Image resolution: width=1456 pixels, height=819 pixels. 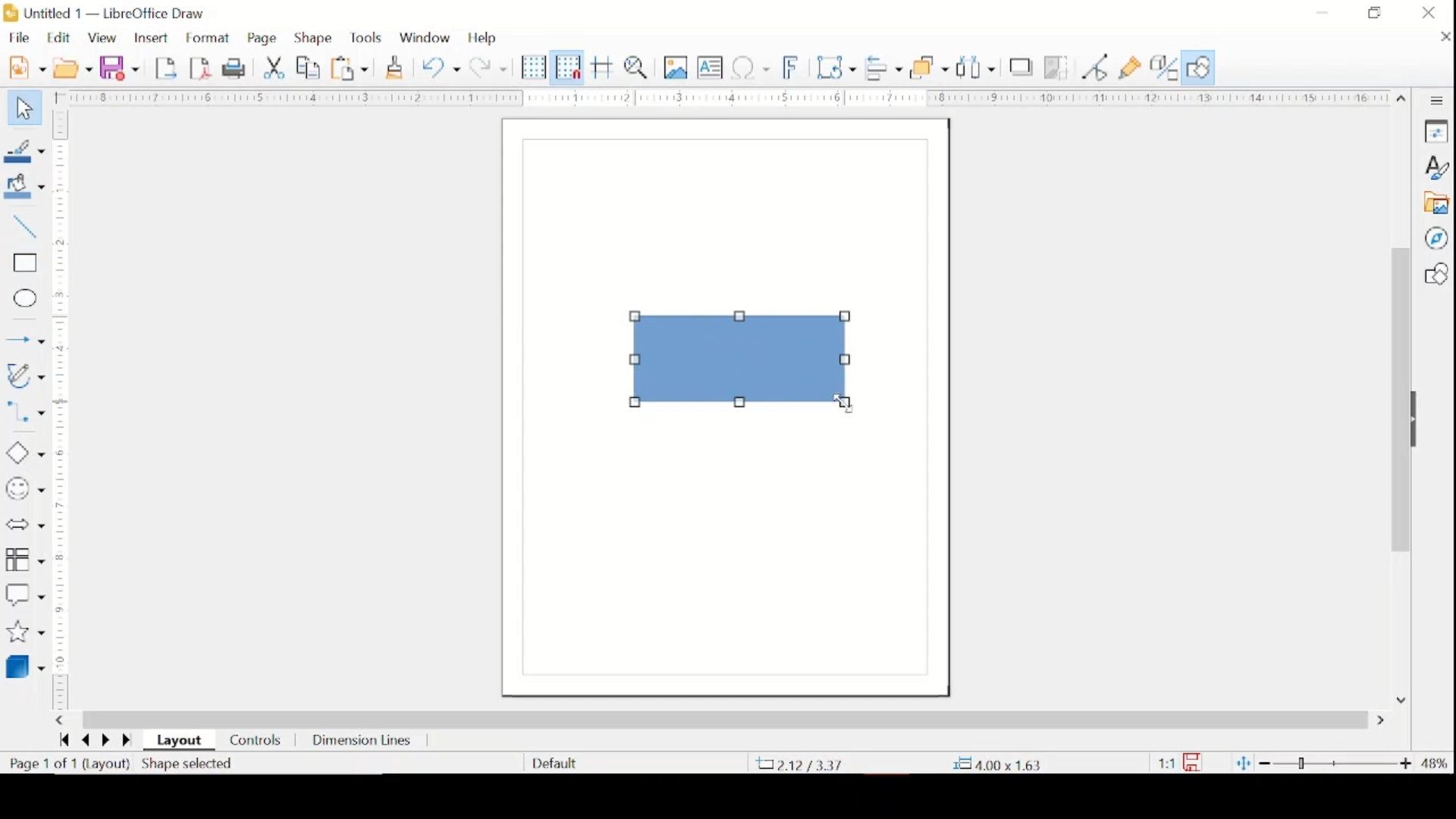 What do you see at coordinates (725, 719) in the screenshot?
I see `scroll box` at bounding box center [725, 719].